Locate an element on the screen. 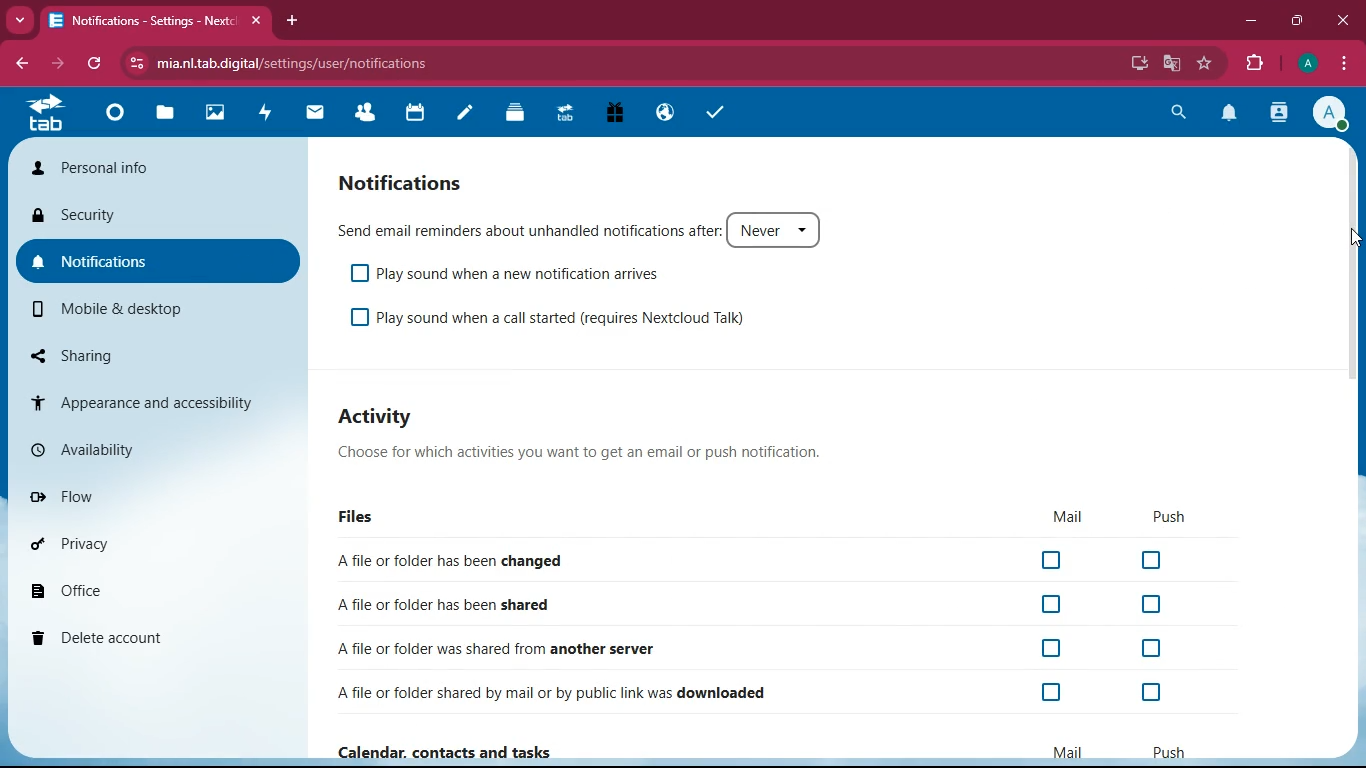  availability is located at coordinates (159, 451).